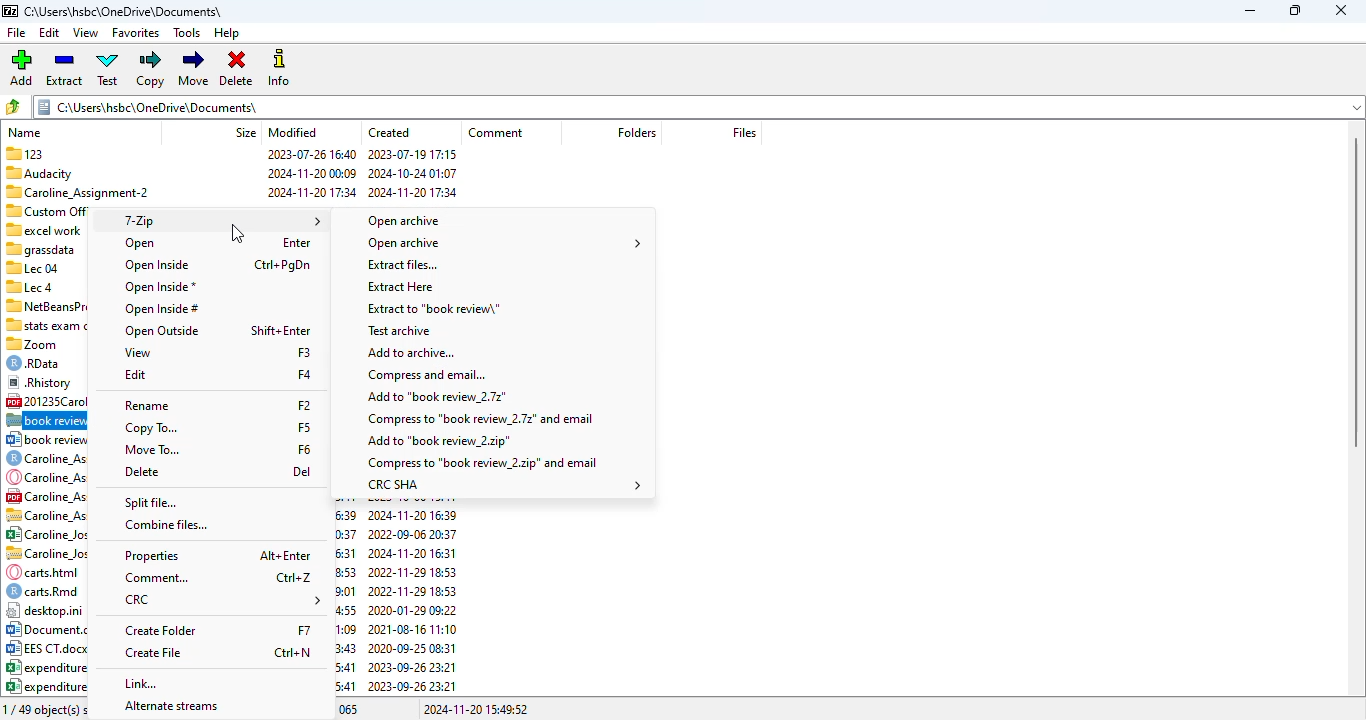 This screenshot has height=720, width=1366. I want to click on 7-Zip, so click(219, 220).